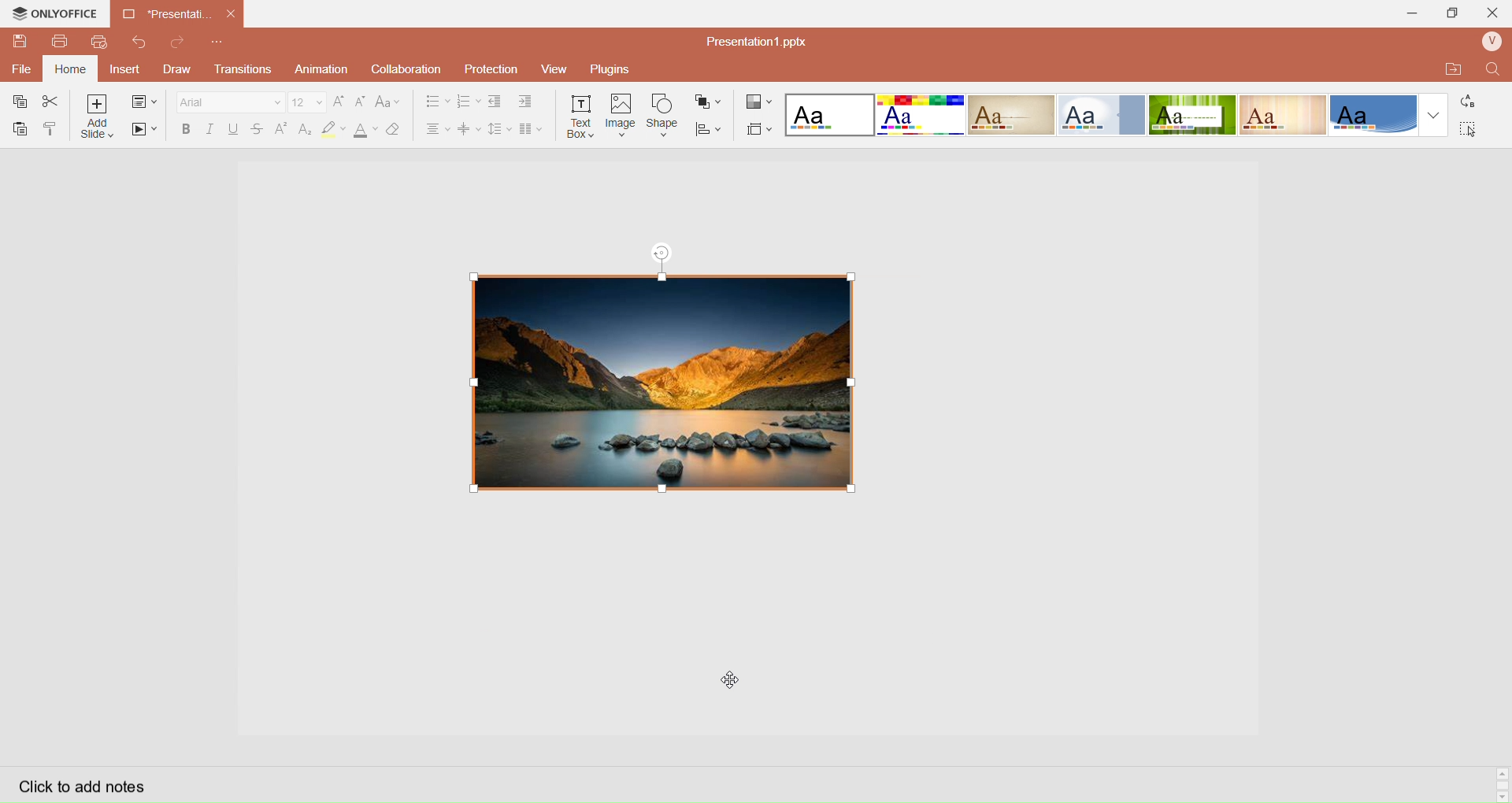 The image size is (1512, 803). What do you see at coordinates (758, 100) in the screenshot?
I see `Change Color Theme` at bounding box center [758, 100].